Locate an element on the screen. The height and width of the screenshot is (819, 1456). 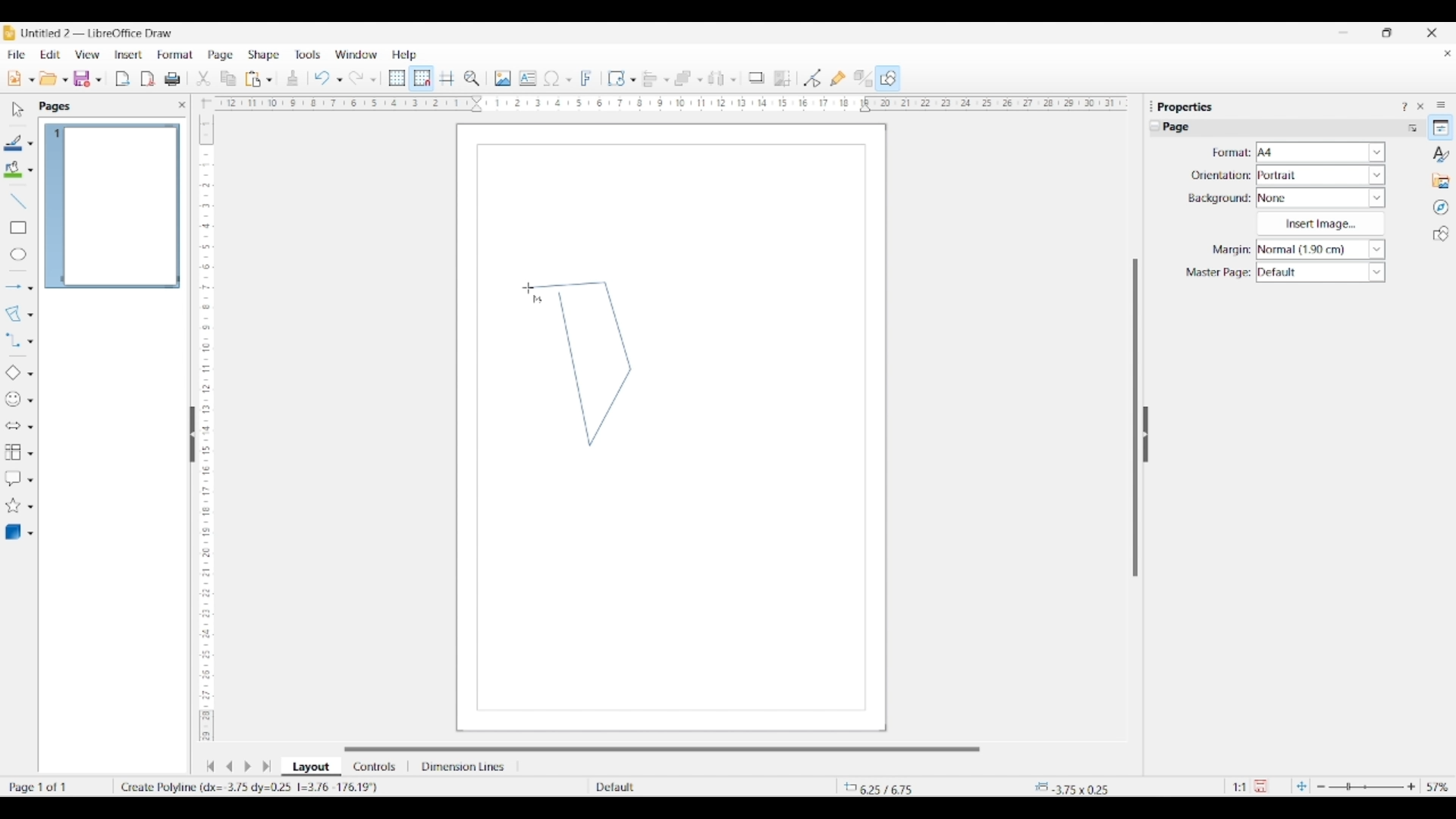
Polygon co-ordinates changed is located at coordinates (254, 786).